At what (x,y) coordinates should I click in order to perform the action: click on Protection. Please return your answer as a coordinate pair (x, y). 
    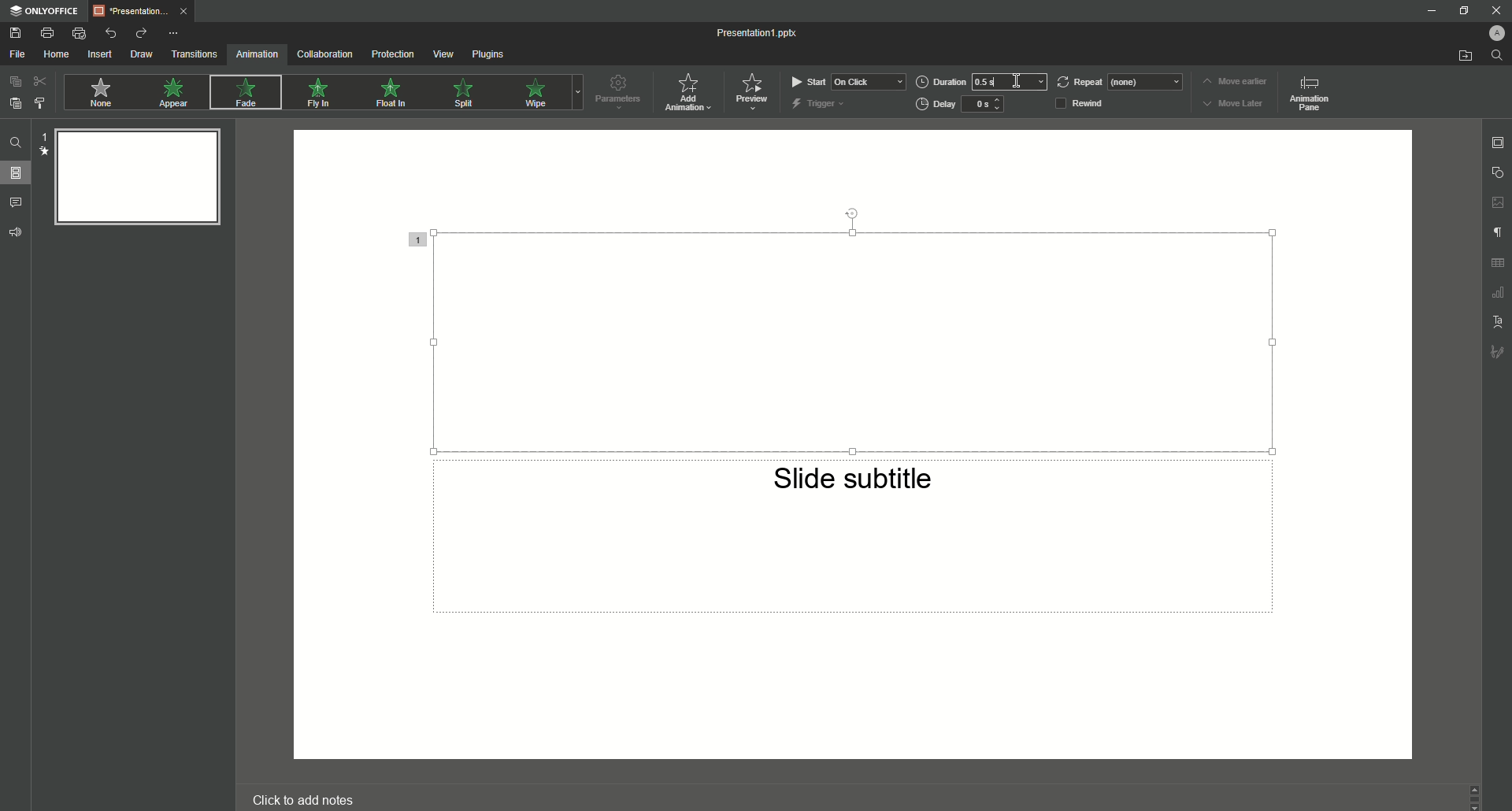
    Looking at the image, I should click on (392, 56).